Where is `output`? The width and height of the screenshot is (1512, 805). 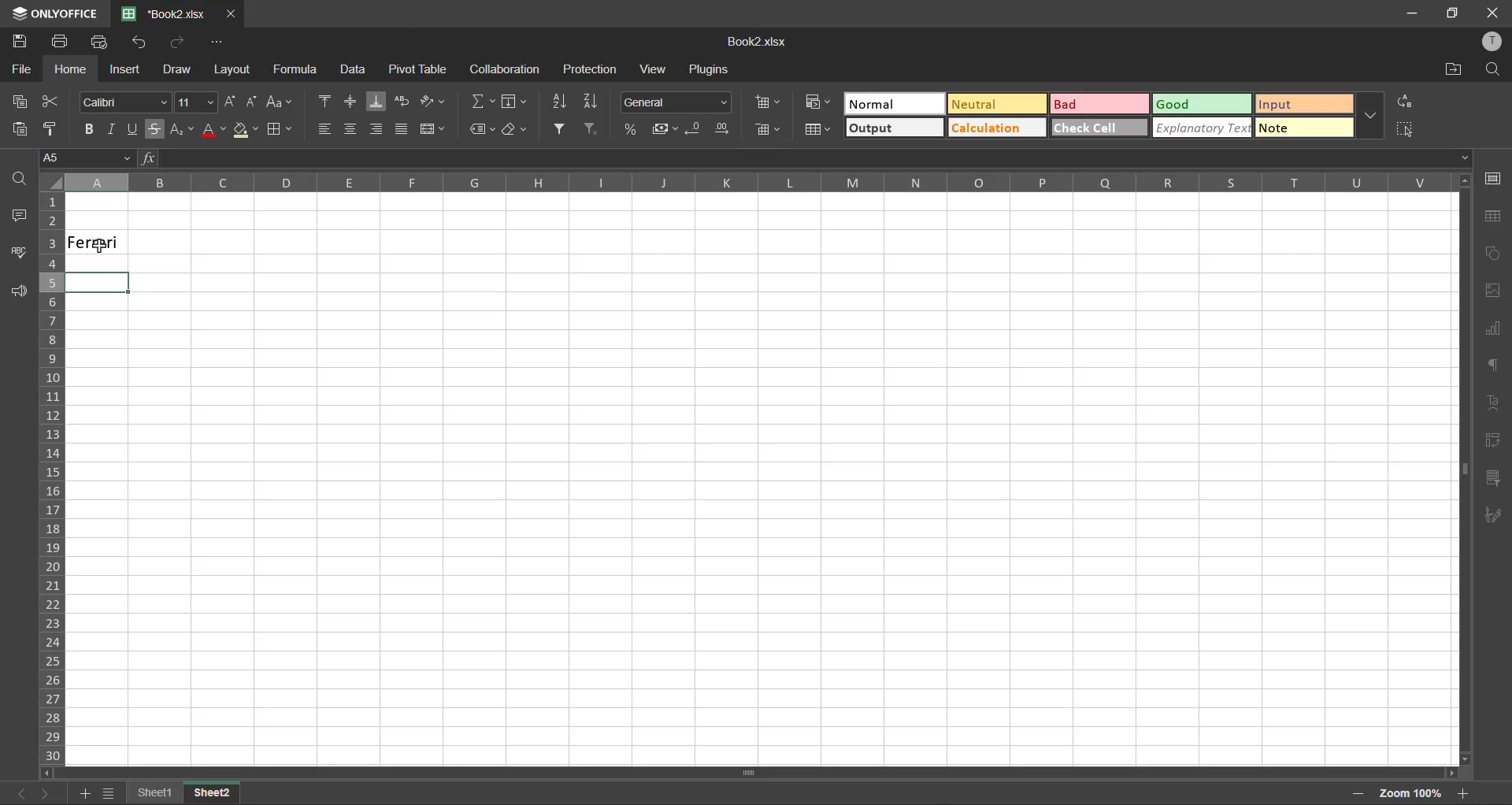
output is located at coordinates (891, 128).